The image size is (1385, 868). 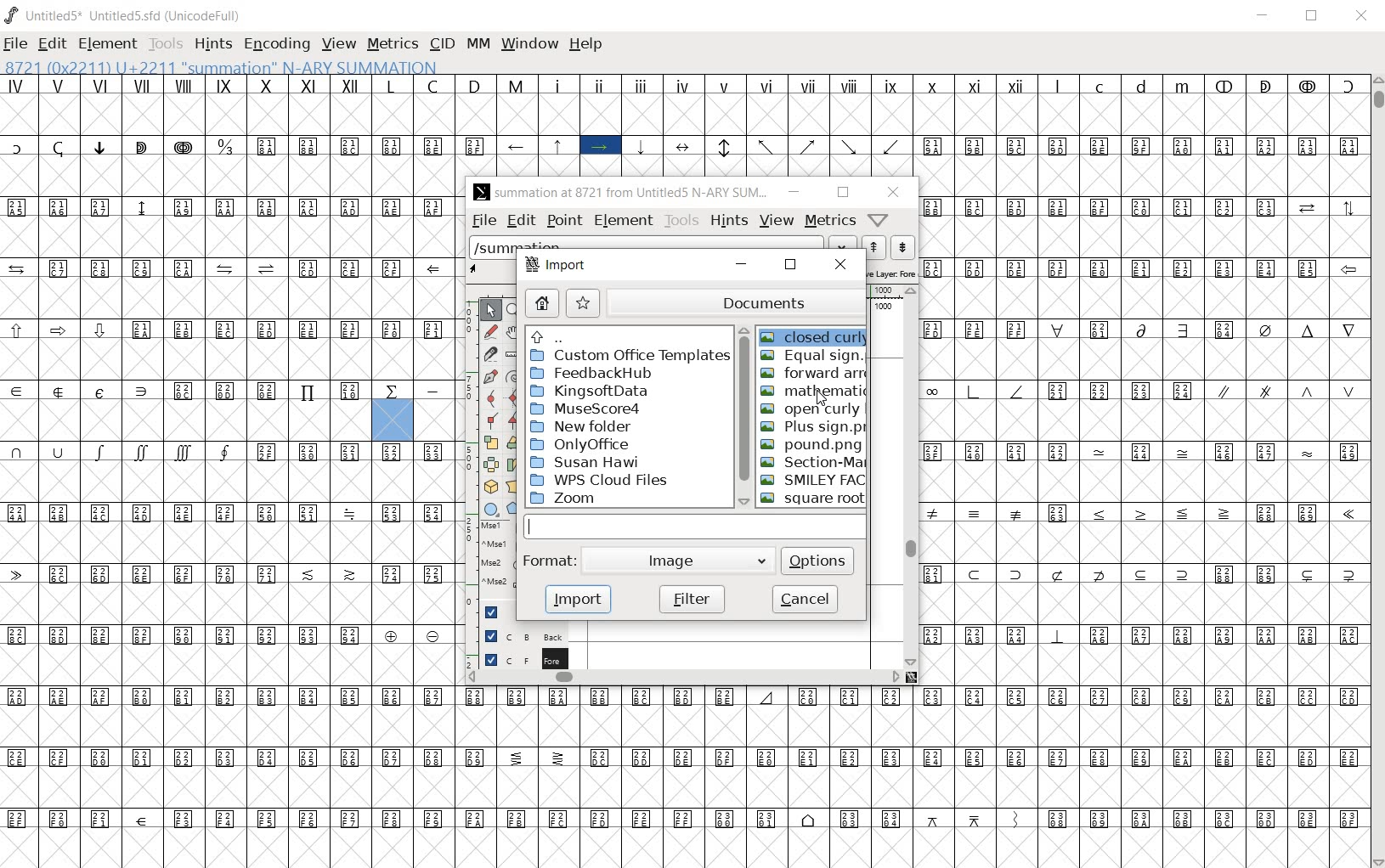 I want to click on add a point, then drag out its control points, so click(x=490, y=375).